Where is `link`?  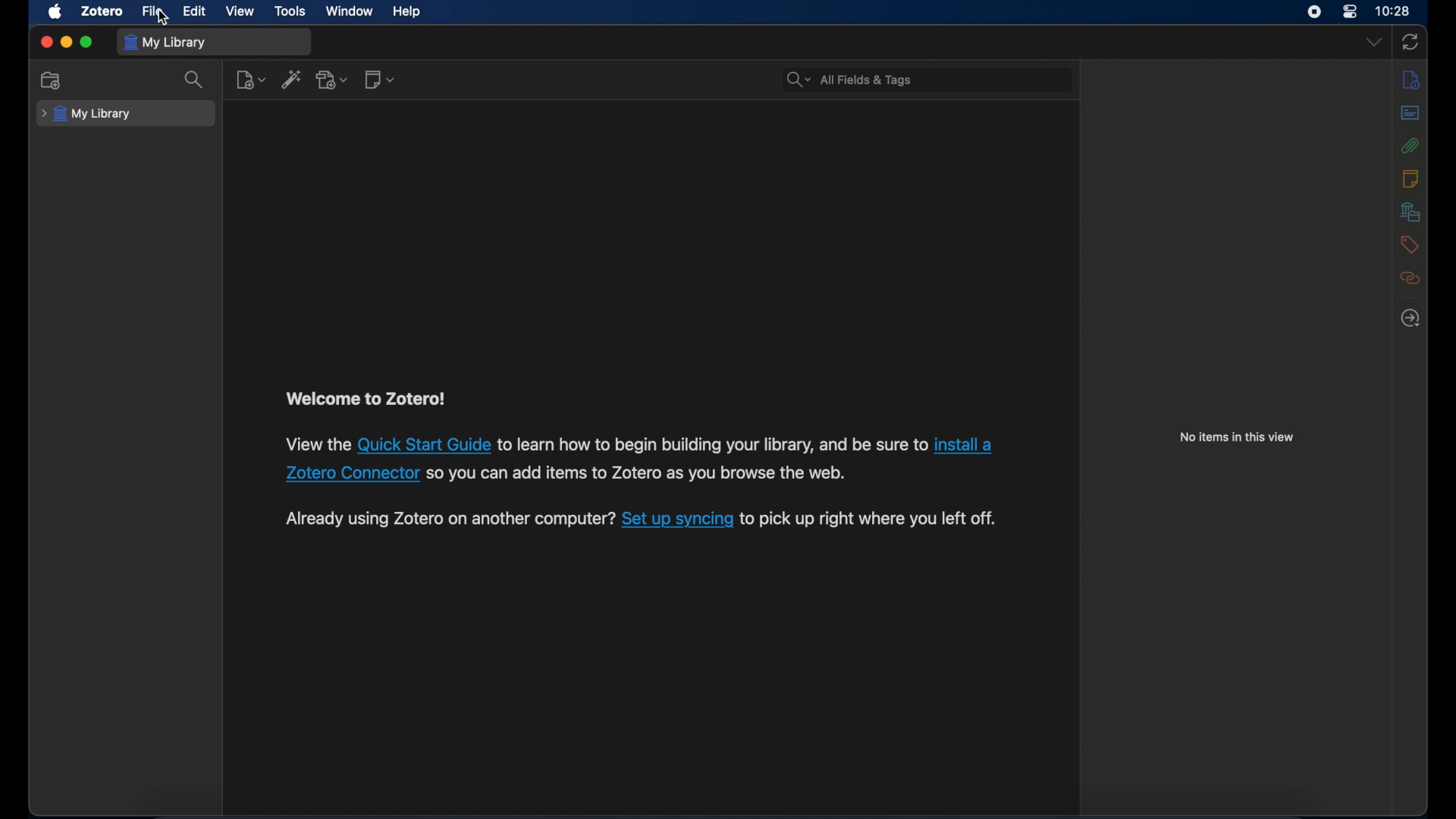 link is located at coordinates (351, 475).